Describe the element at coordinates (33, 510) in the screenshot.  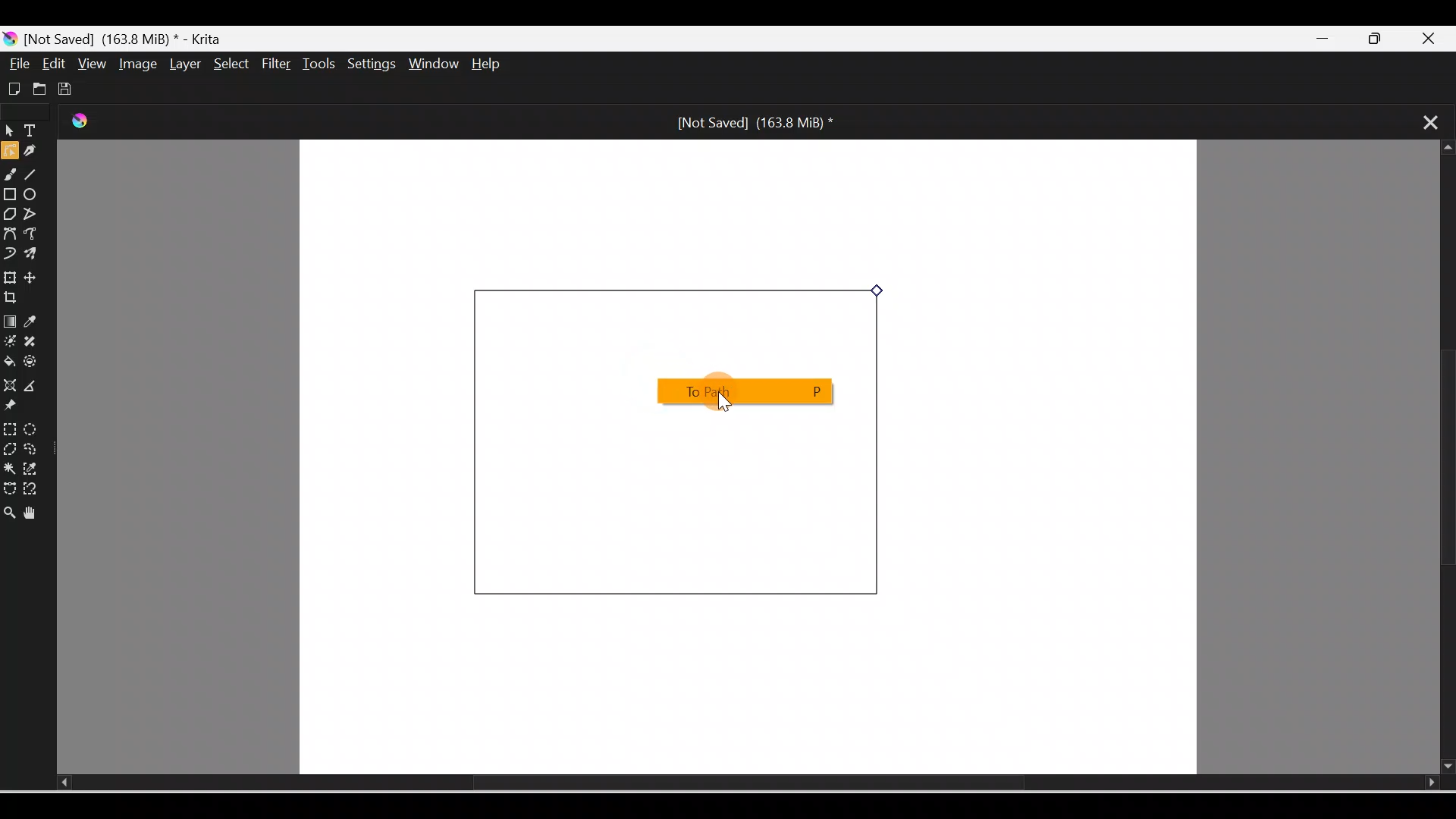
I see `Pan tool` at that location.